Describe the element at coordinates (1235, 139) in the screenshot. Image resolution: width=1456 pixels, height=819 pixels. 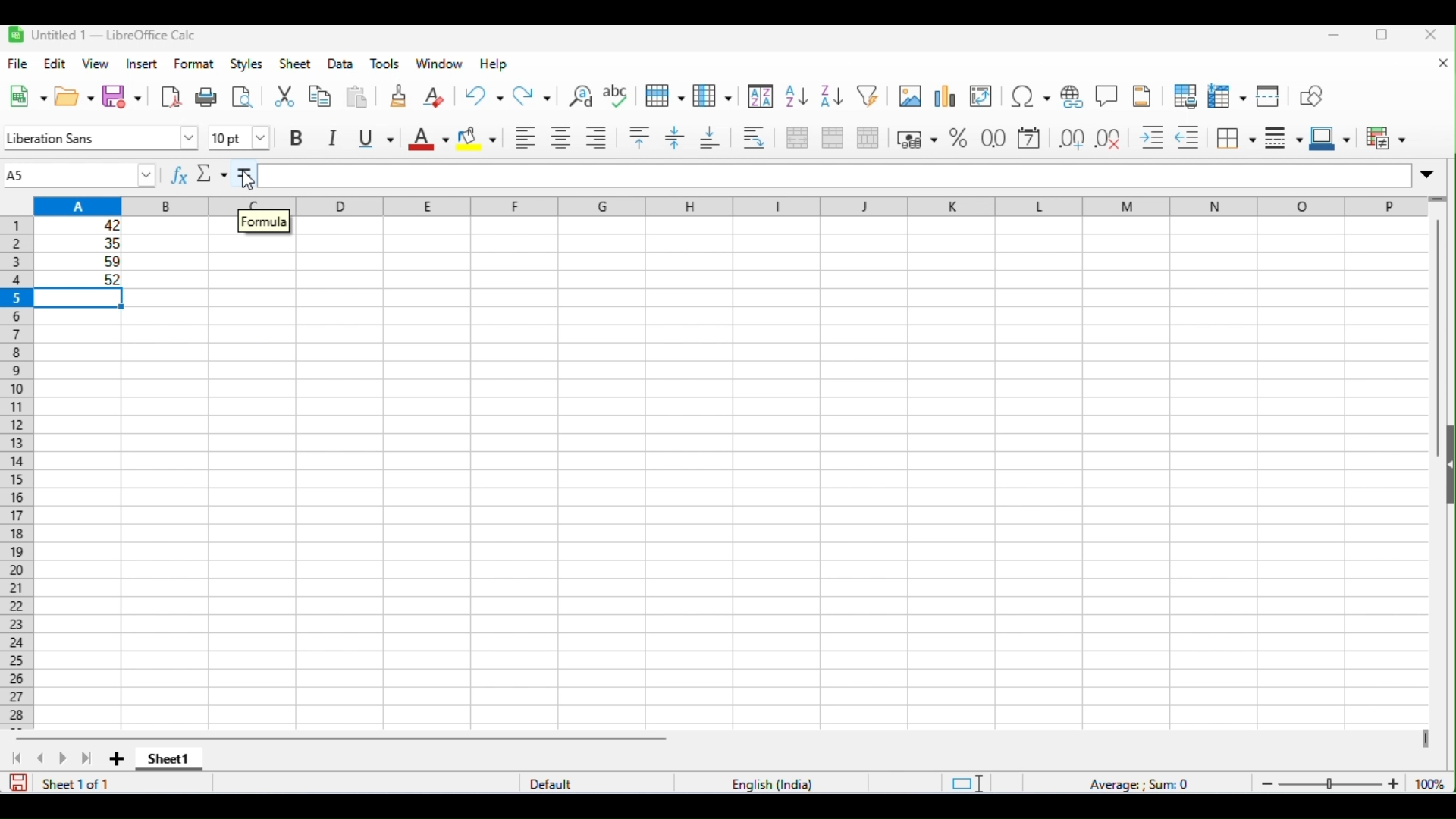
I see `border` at that location.